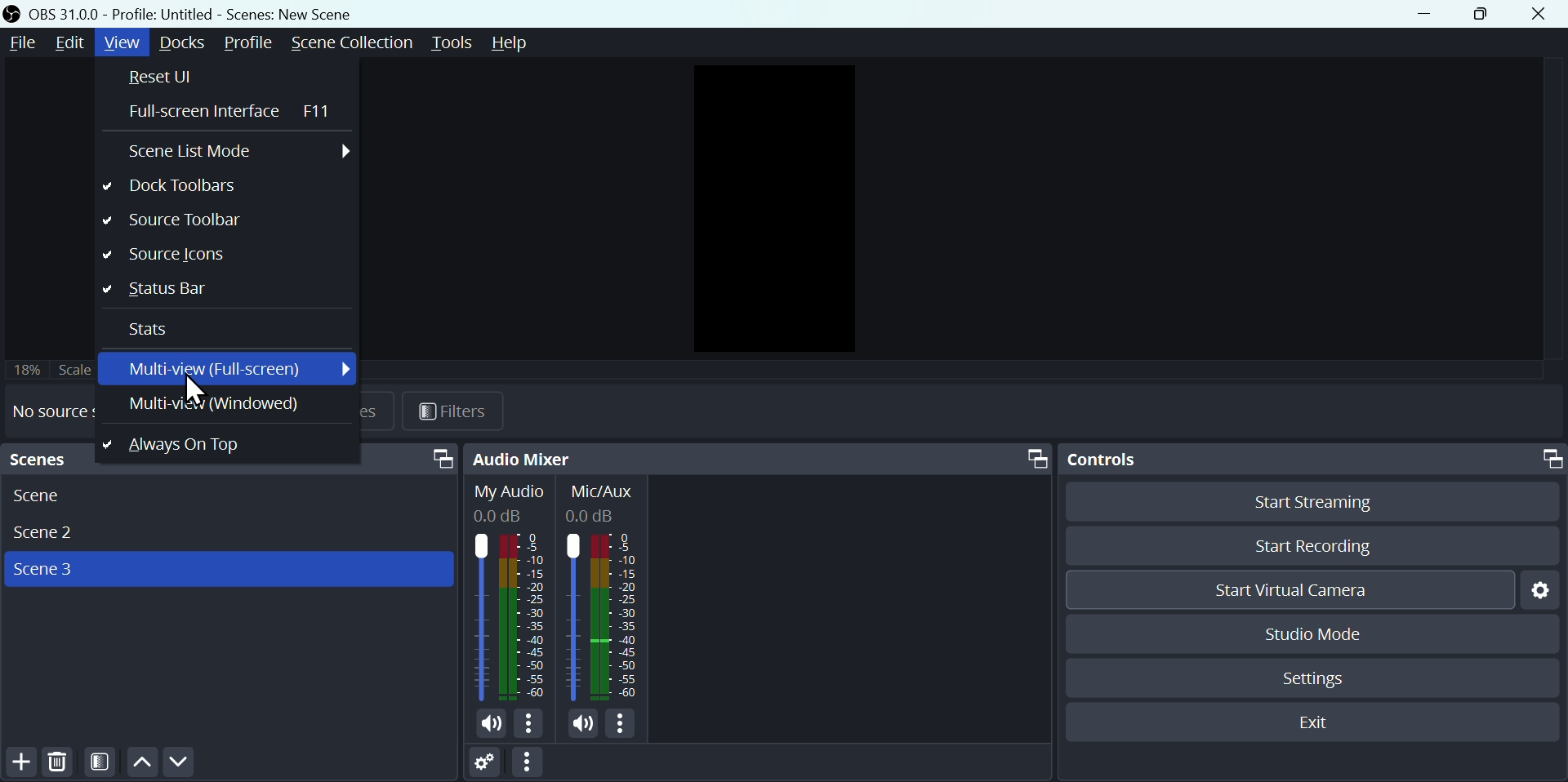 The width and height of the screenshot is (1568, 782). Describe the element at coordinates (18, 765) in the screenshot. I see `Add` at that location.